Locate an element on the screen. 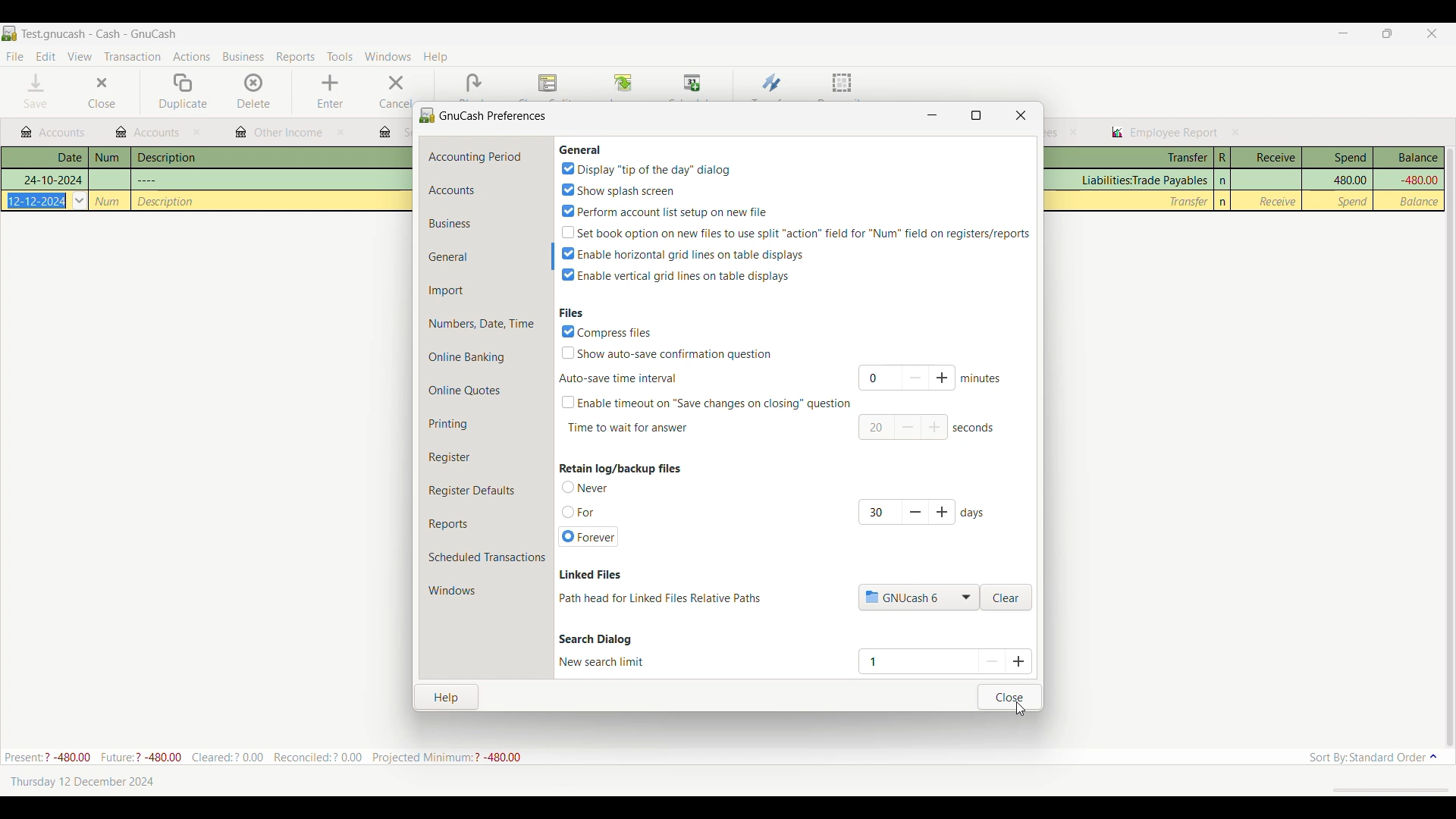  display is located at coordinates (645, 169).